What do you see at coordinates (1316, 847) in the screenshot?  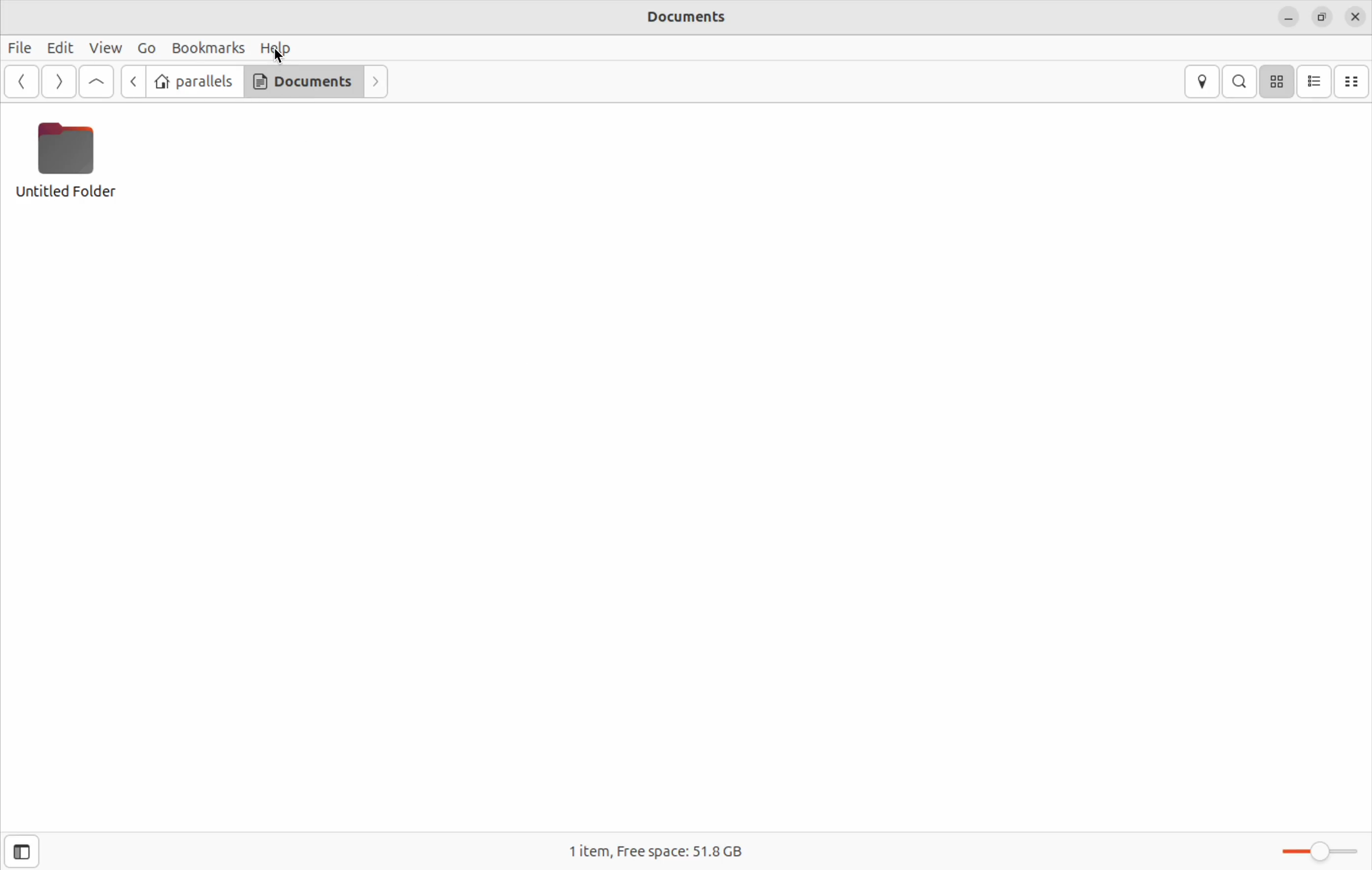 I see `toggle zoom` at bounding box center [1316, 847].